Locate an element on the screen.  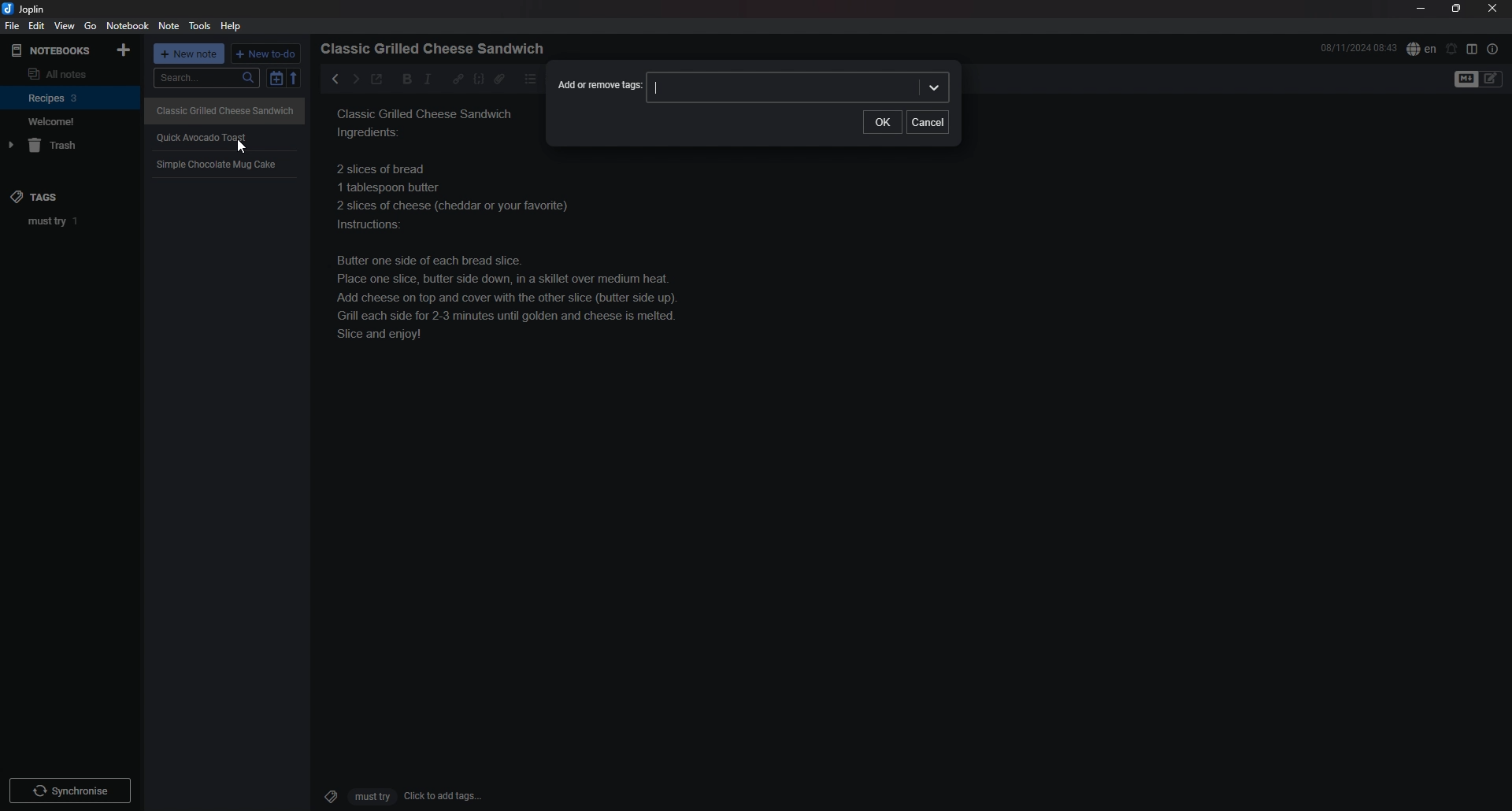
simple chocolate mug cake is located at coordinates (218, 164).